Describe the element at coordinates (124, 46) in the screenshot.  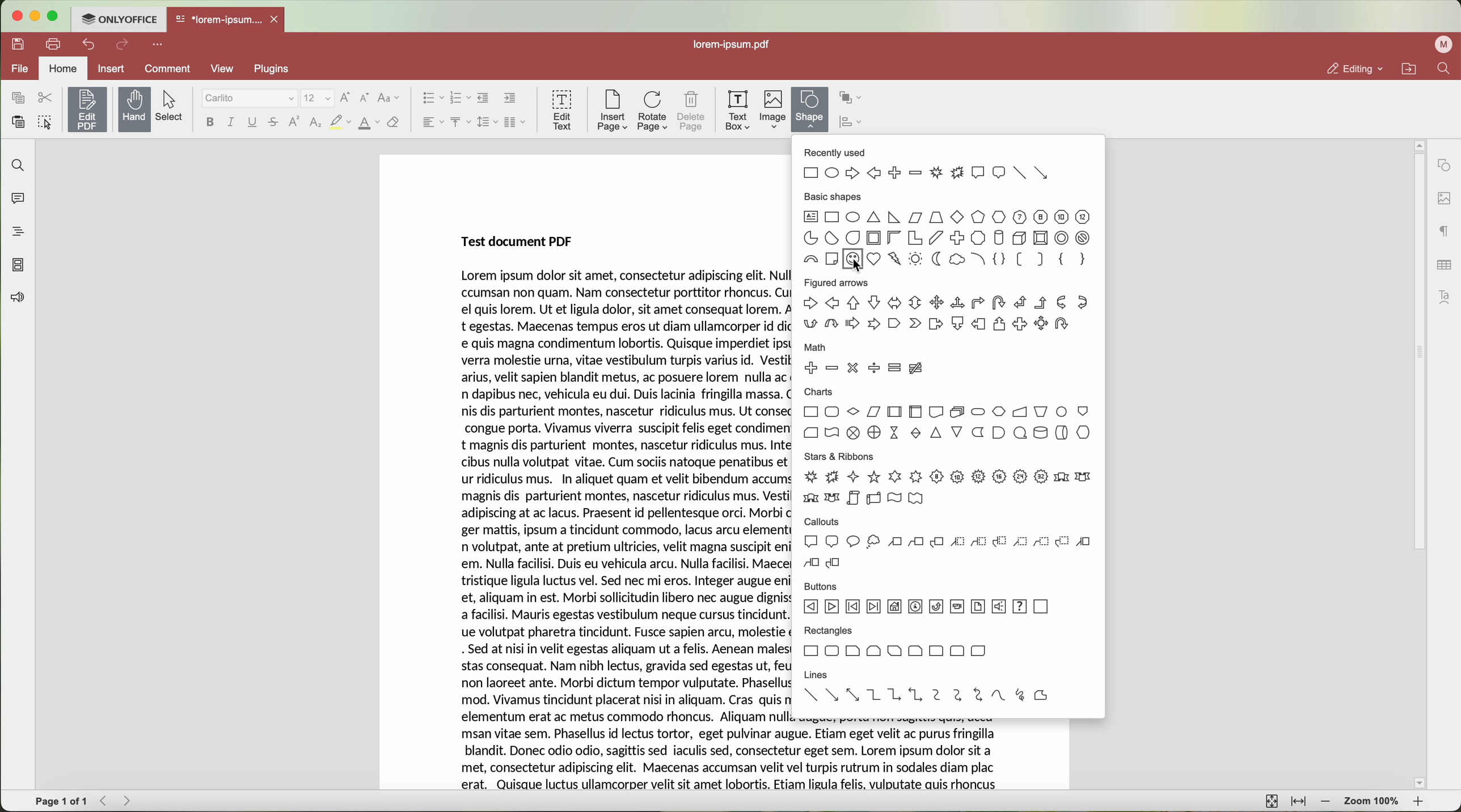
I see `redo` at that location.